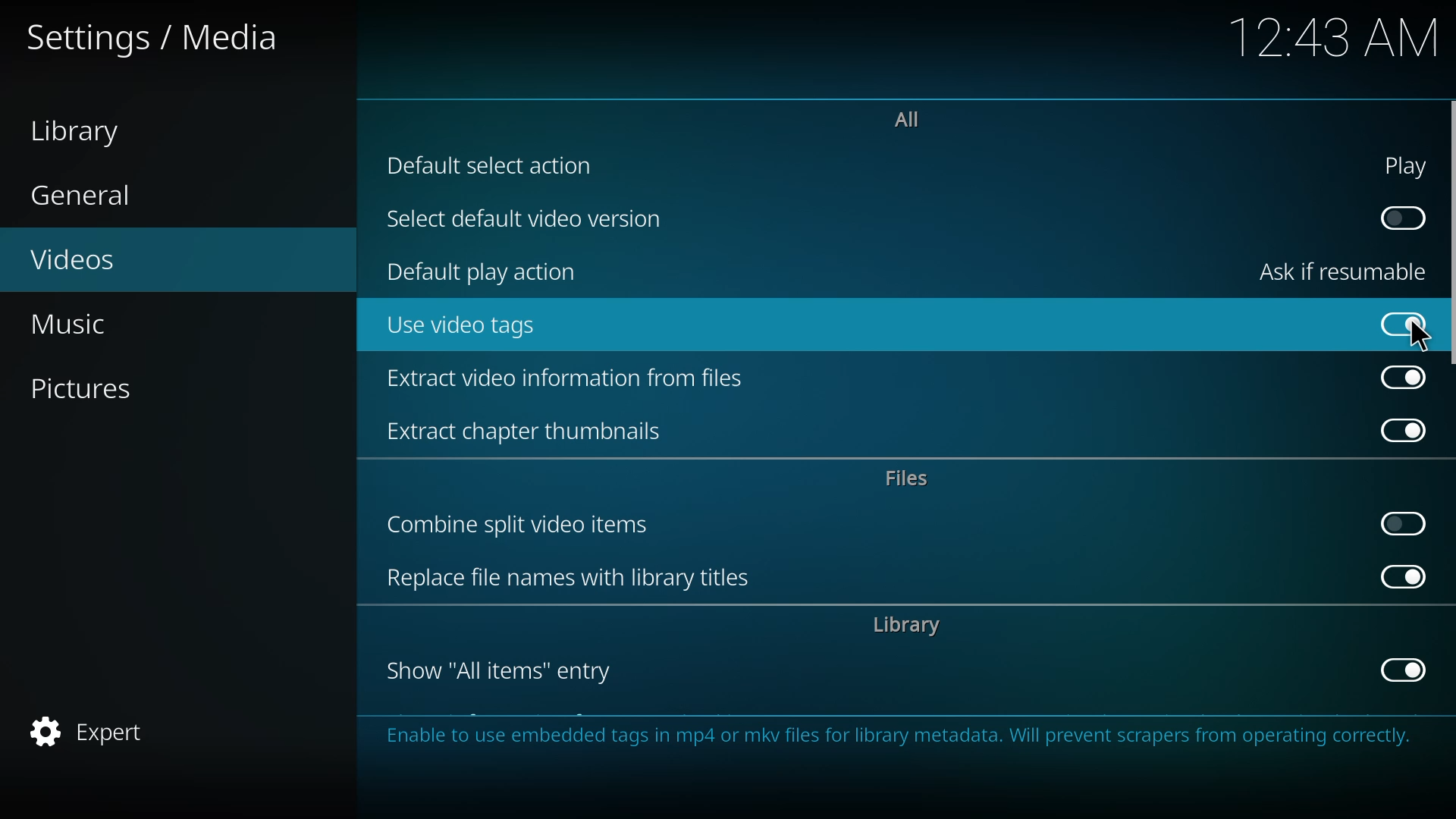 Image resolution: width=1456 pixels, height=819 pixels. I want to click on videos, so click(96, 262).